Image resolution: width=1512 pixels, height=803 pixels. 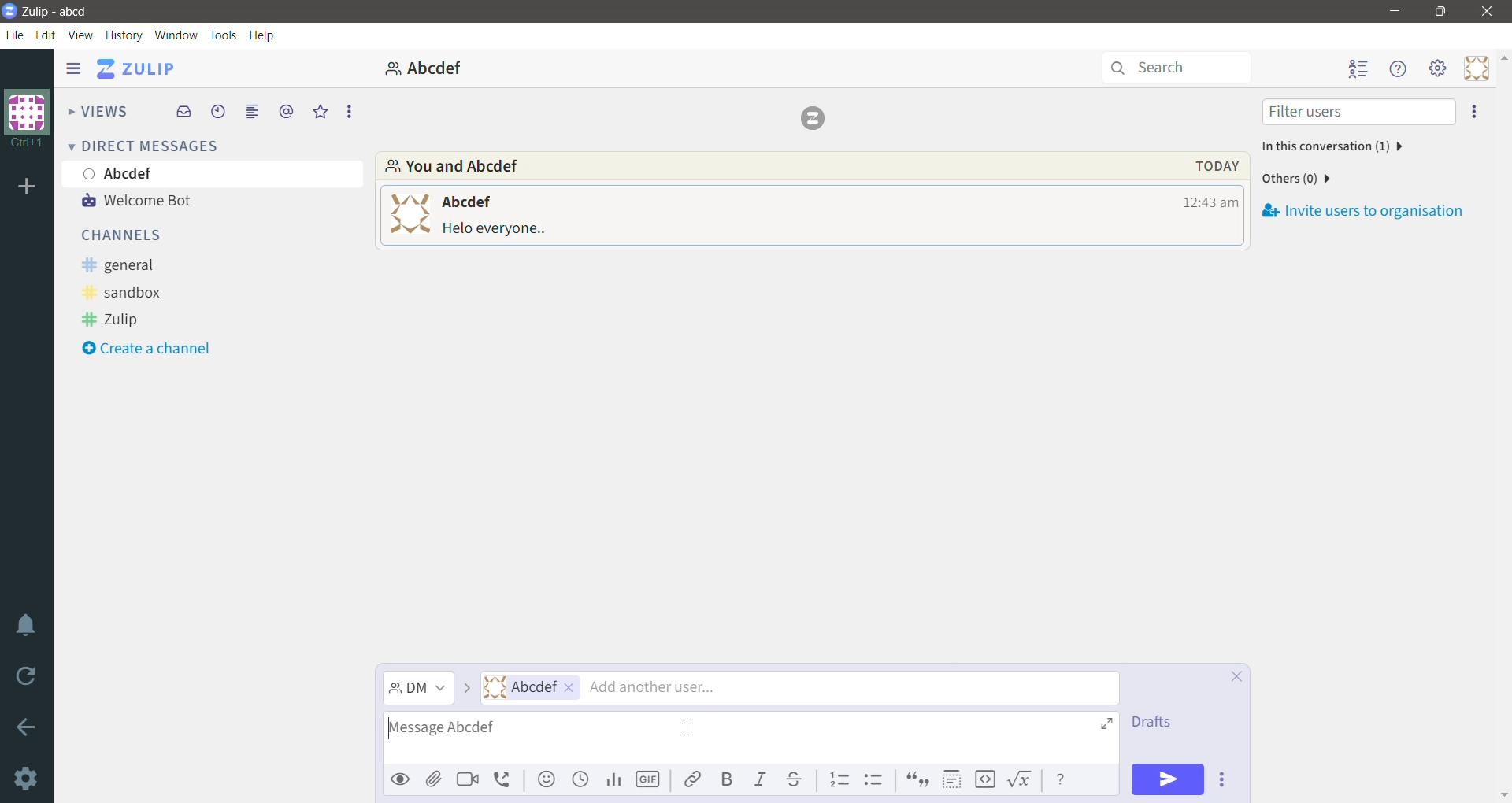 I want to click on Message Formatting, so click(x=1064, y=781).